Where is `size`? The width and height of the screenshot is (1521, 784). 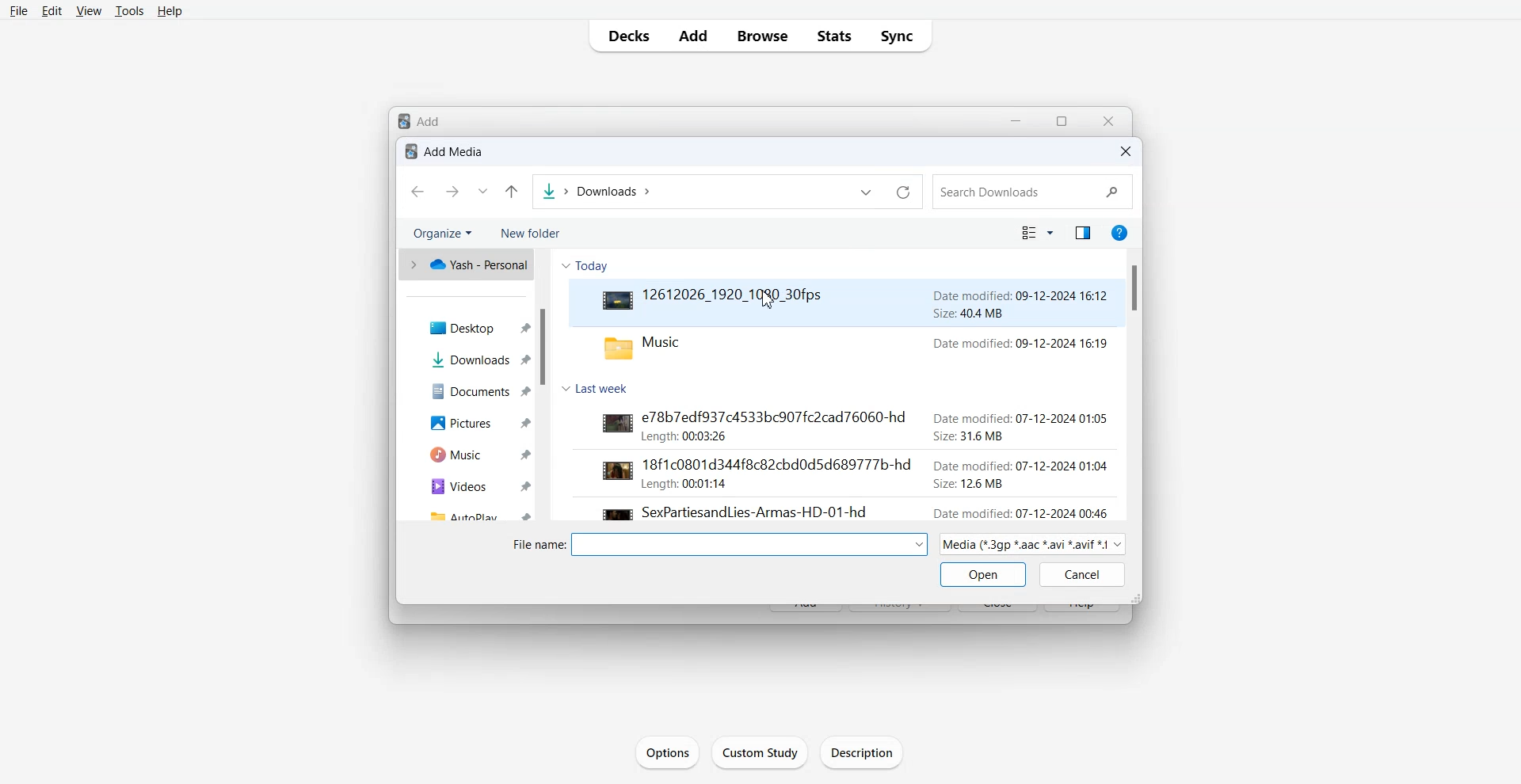 size is located at coordinates (969, 483).